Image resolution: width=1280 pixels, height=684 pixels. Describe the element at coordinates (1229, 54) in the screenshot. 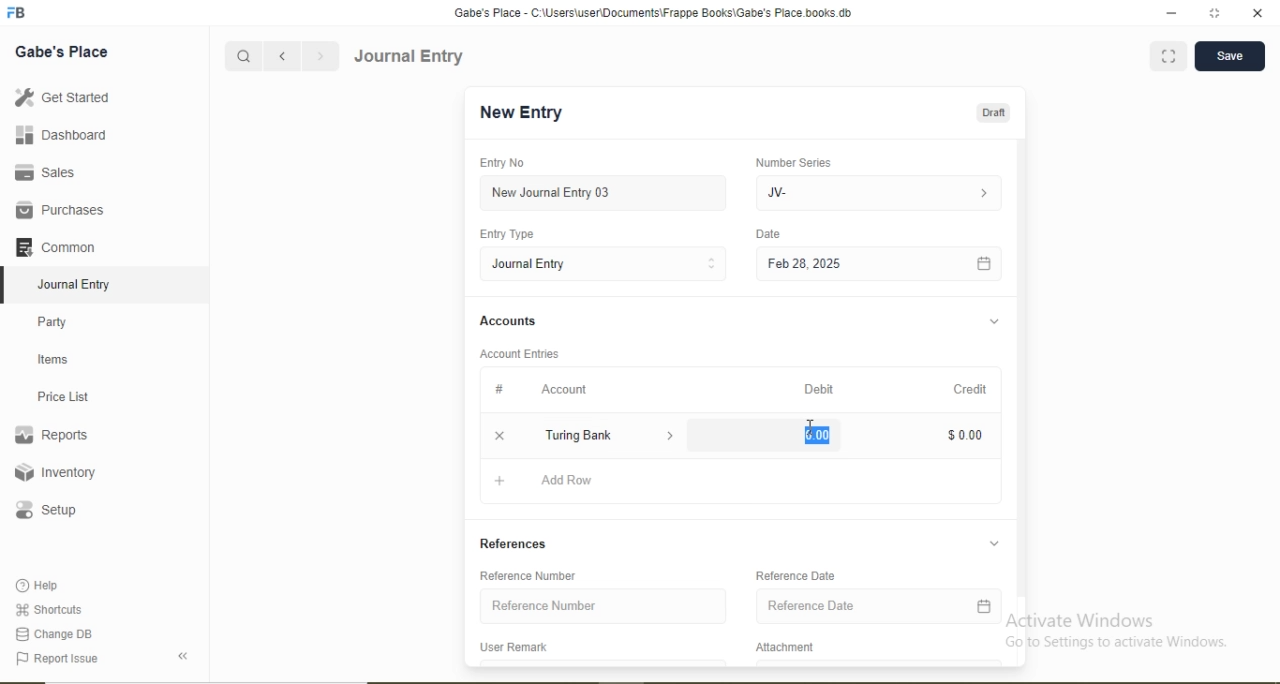

I see `Save` at that location.